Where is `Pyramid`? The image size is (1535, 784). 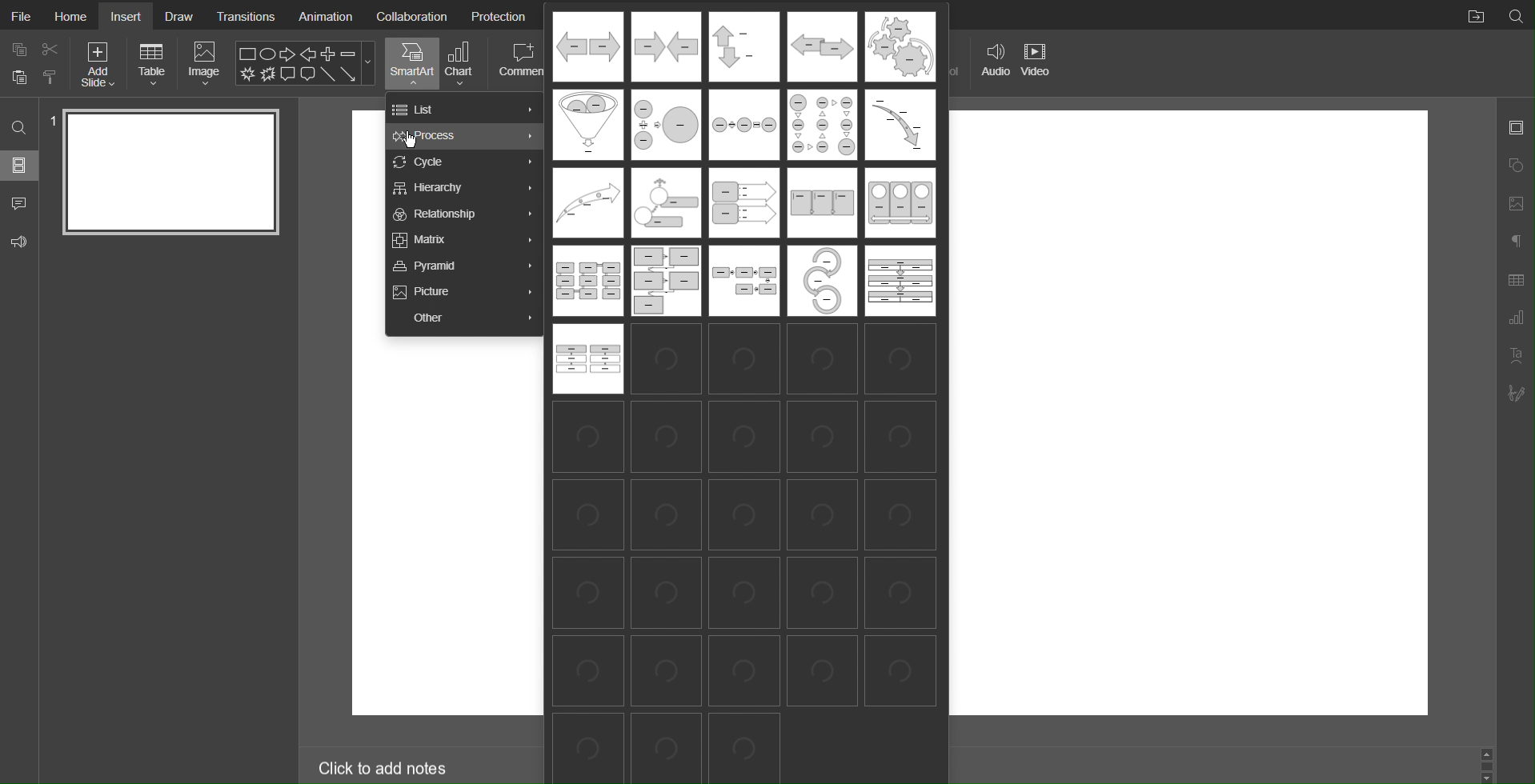
Pyramid is located at coordinates (466, 266).